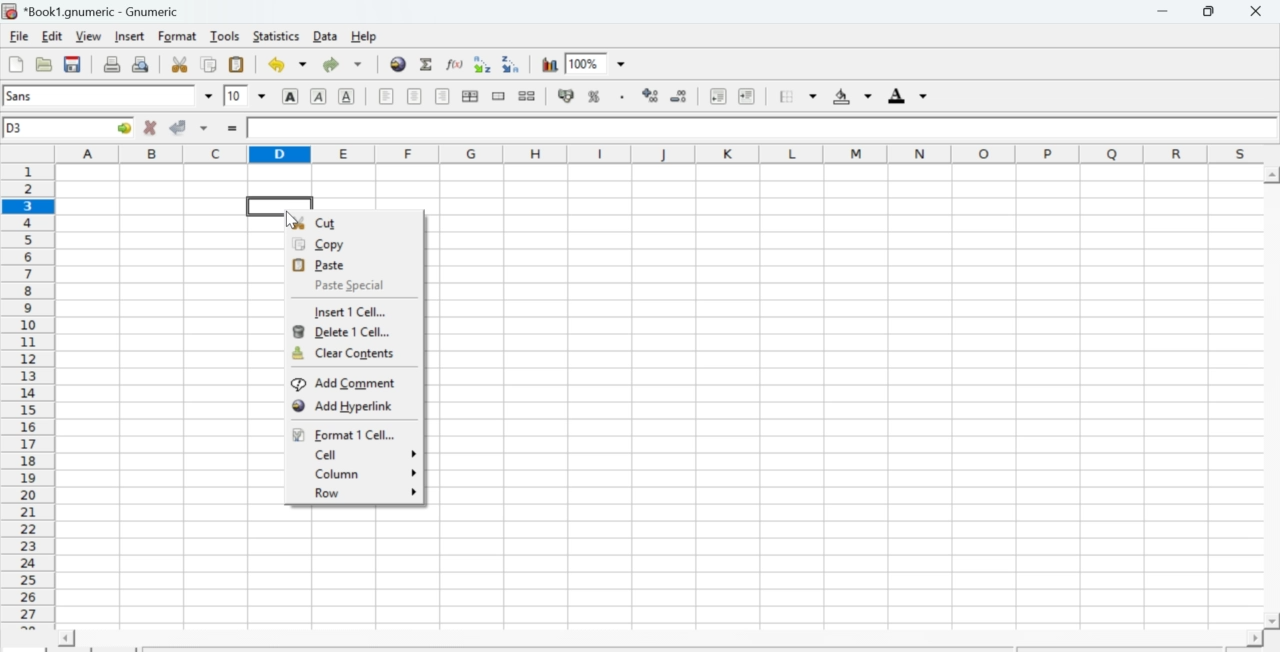 The image size is (1280, 652). What do you see at coordinates (365, 474) in the screenshot?
I see `Column` at bounding box center [365, 474].